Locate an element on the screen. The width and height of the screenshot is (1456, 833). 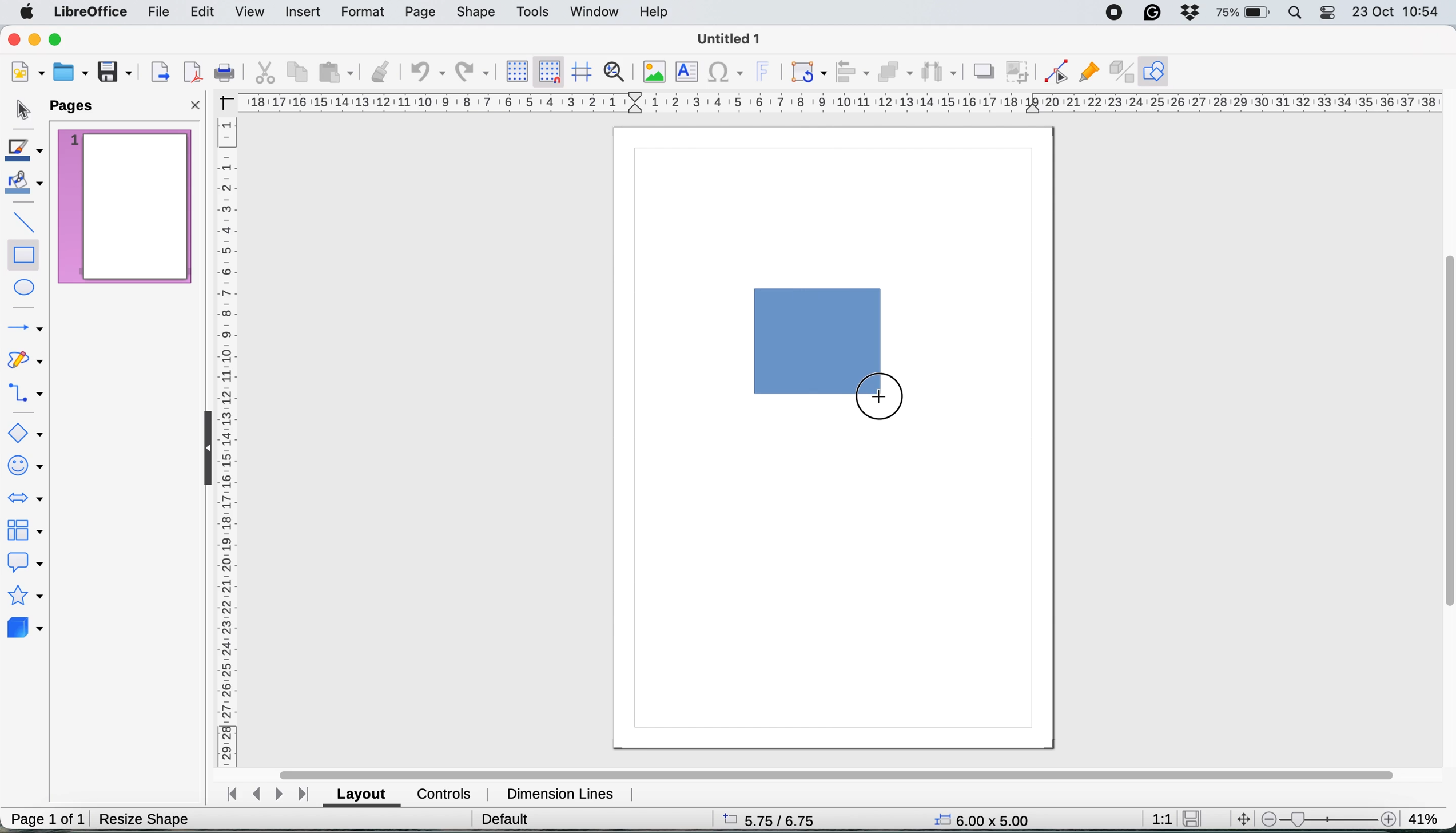
libreoffice is located at coordinates (87, 13).